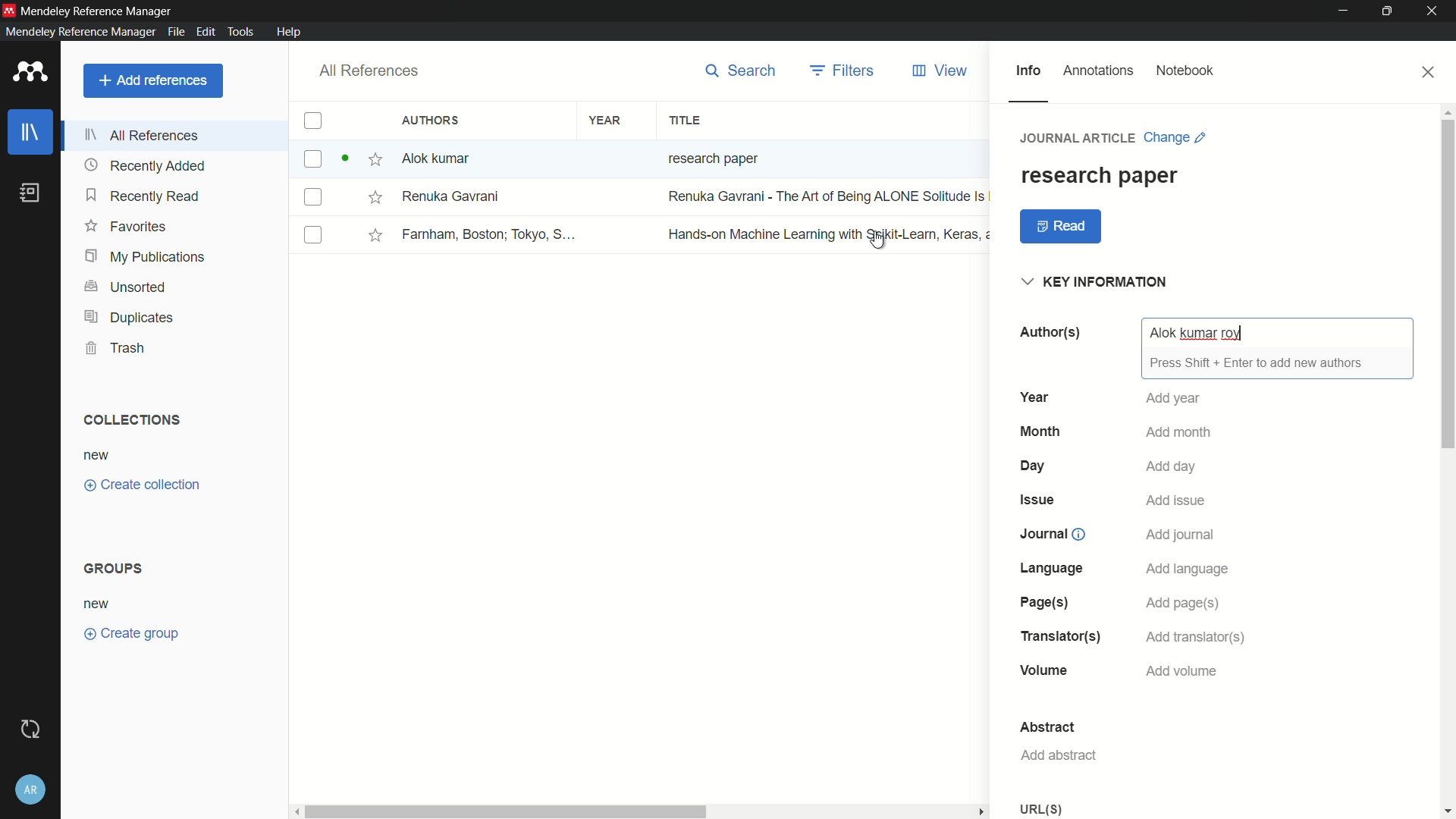  I want to click on book-1, so click(541, 158).